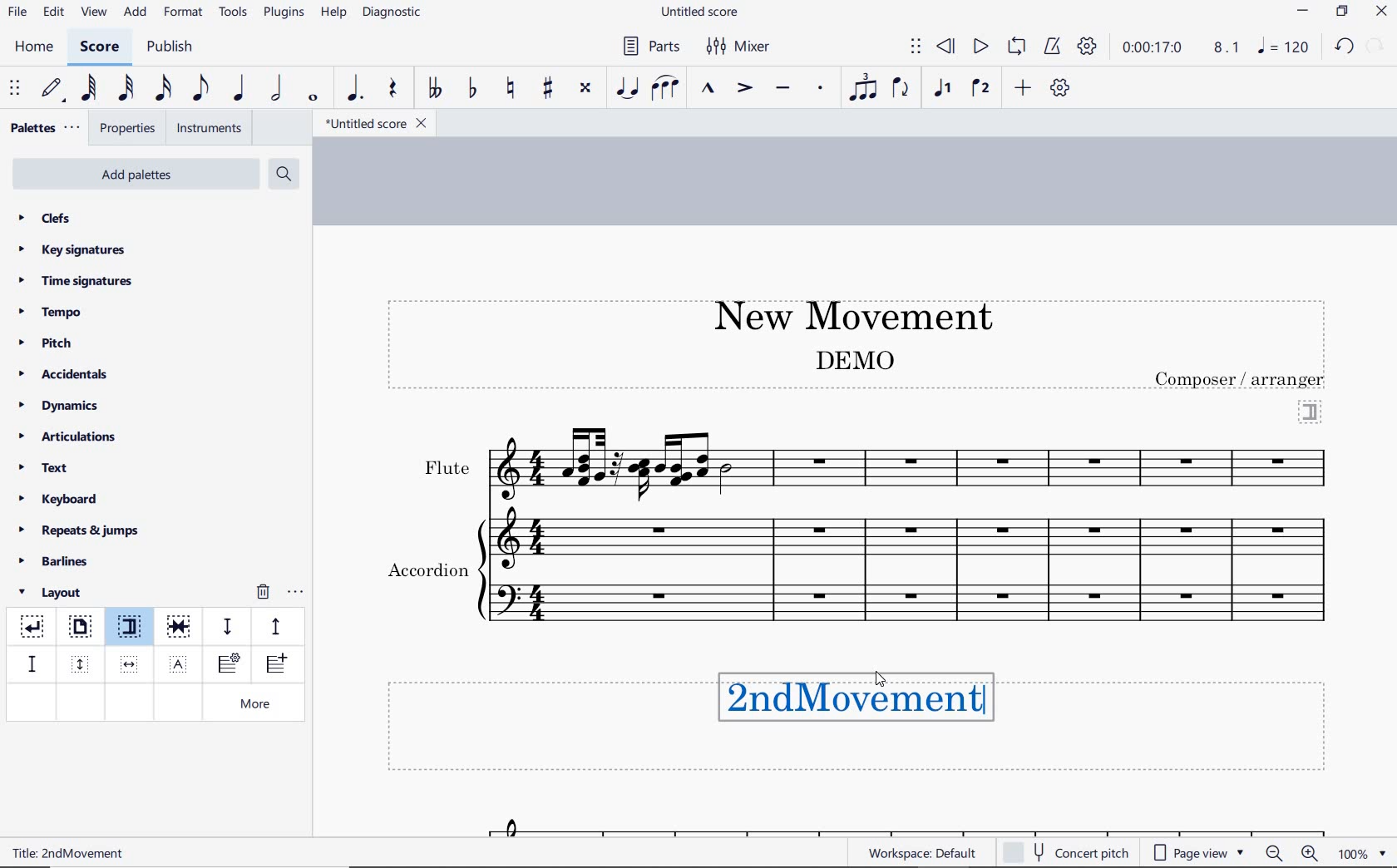 The height and width of the screenshot is (868, 1397). I want to click on toggle double-flat, so click(434, 89).